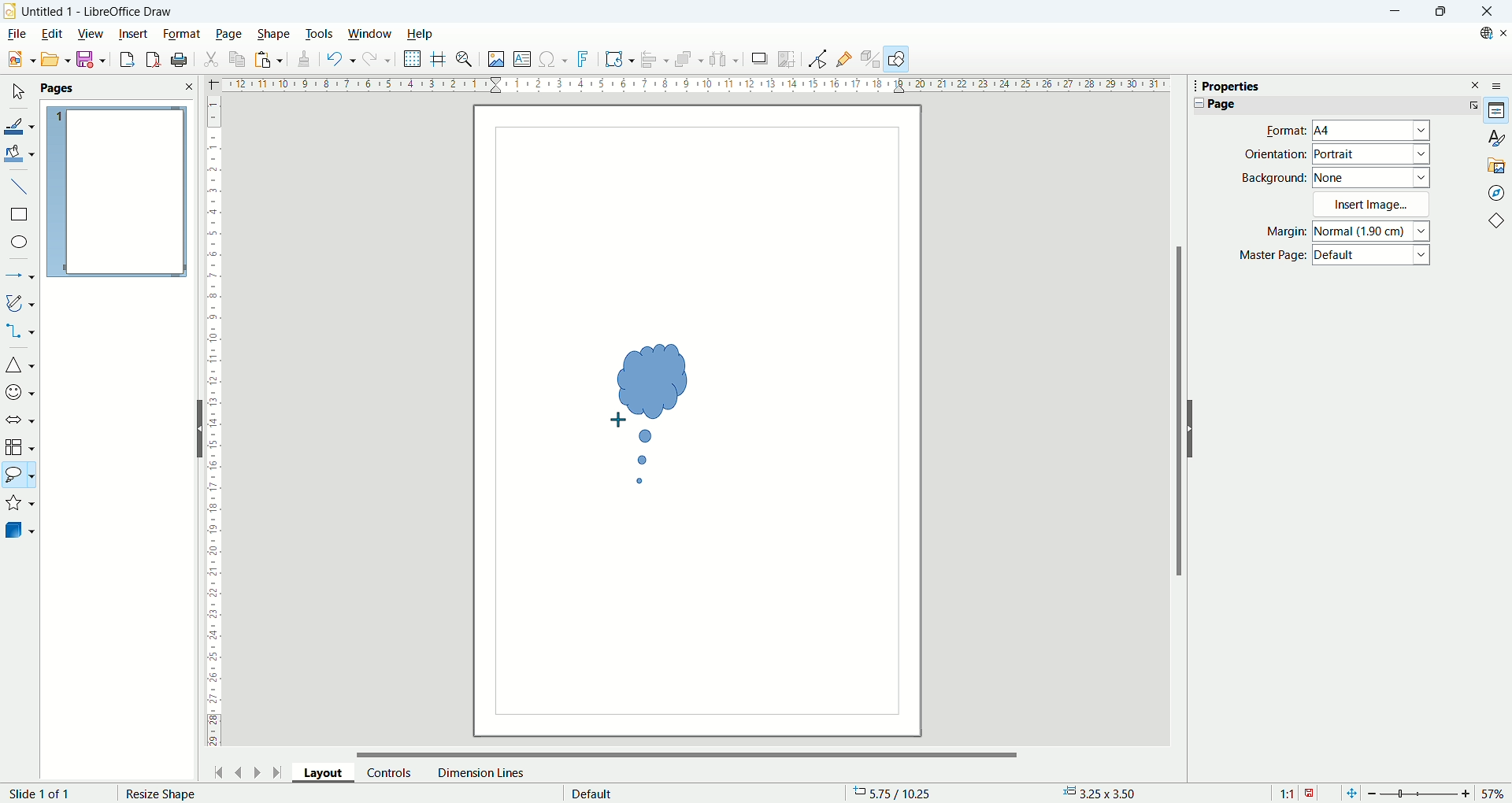  What do you see at coordinates (1499, 223) in the screenshot?
I see `basic shapes` at bounding box center [1499, 223].